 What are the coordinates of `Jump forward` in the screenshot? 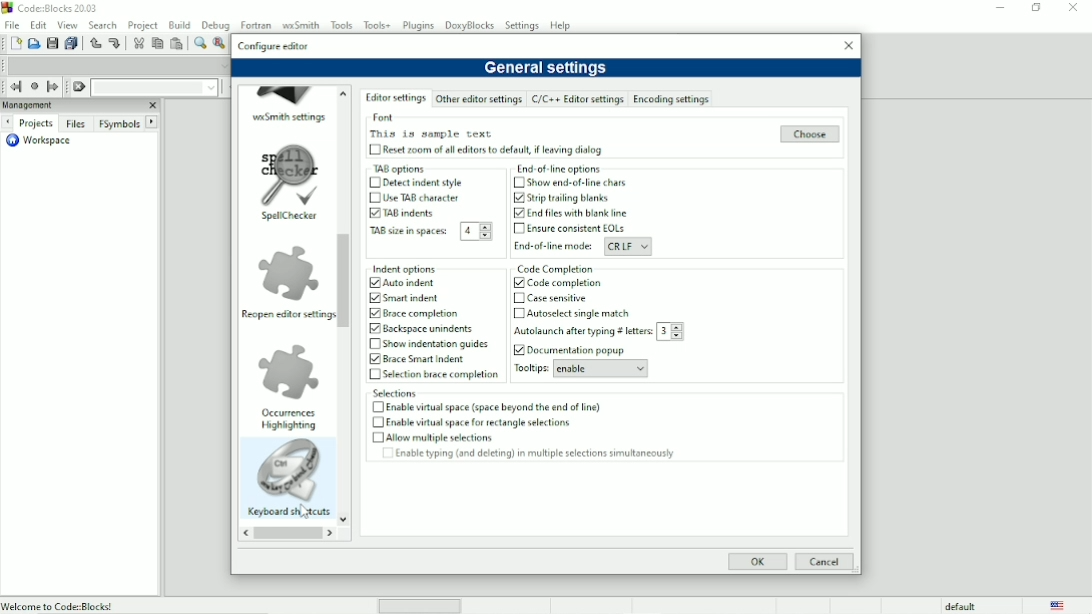 It's located at (57, 87).